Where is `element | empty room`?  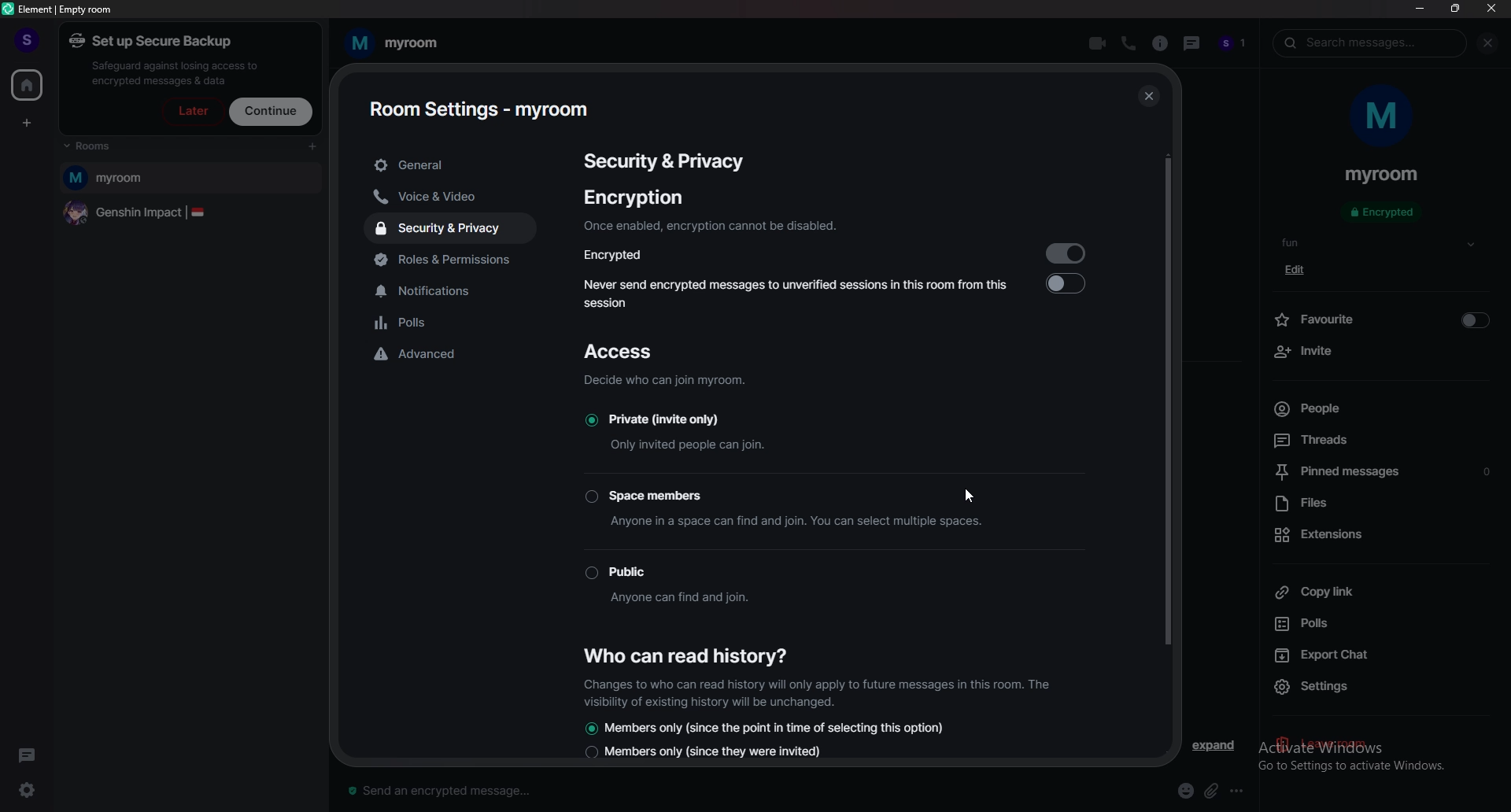
element | empty room is located at coordinates (67, 8).